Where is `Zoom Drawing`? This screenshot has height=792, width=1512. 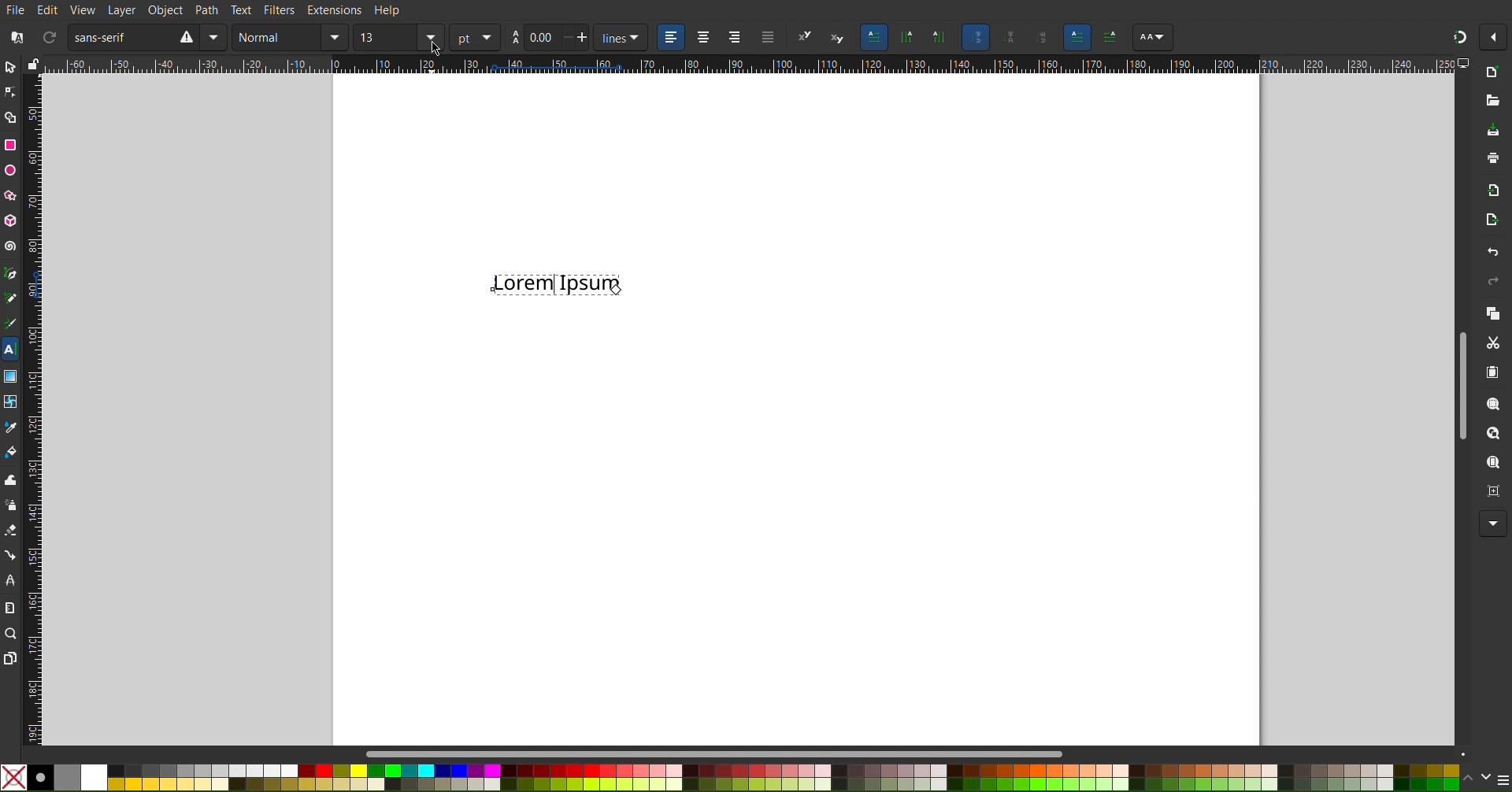
Zoom Drawing is located at coordinates (1493, 433).